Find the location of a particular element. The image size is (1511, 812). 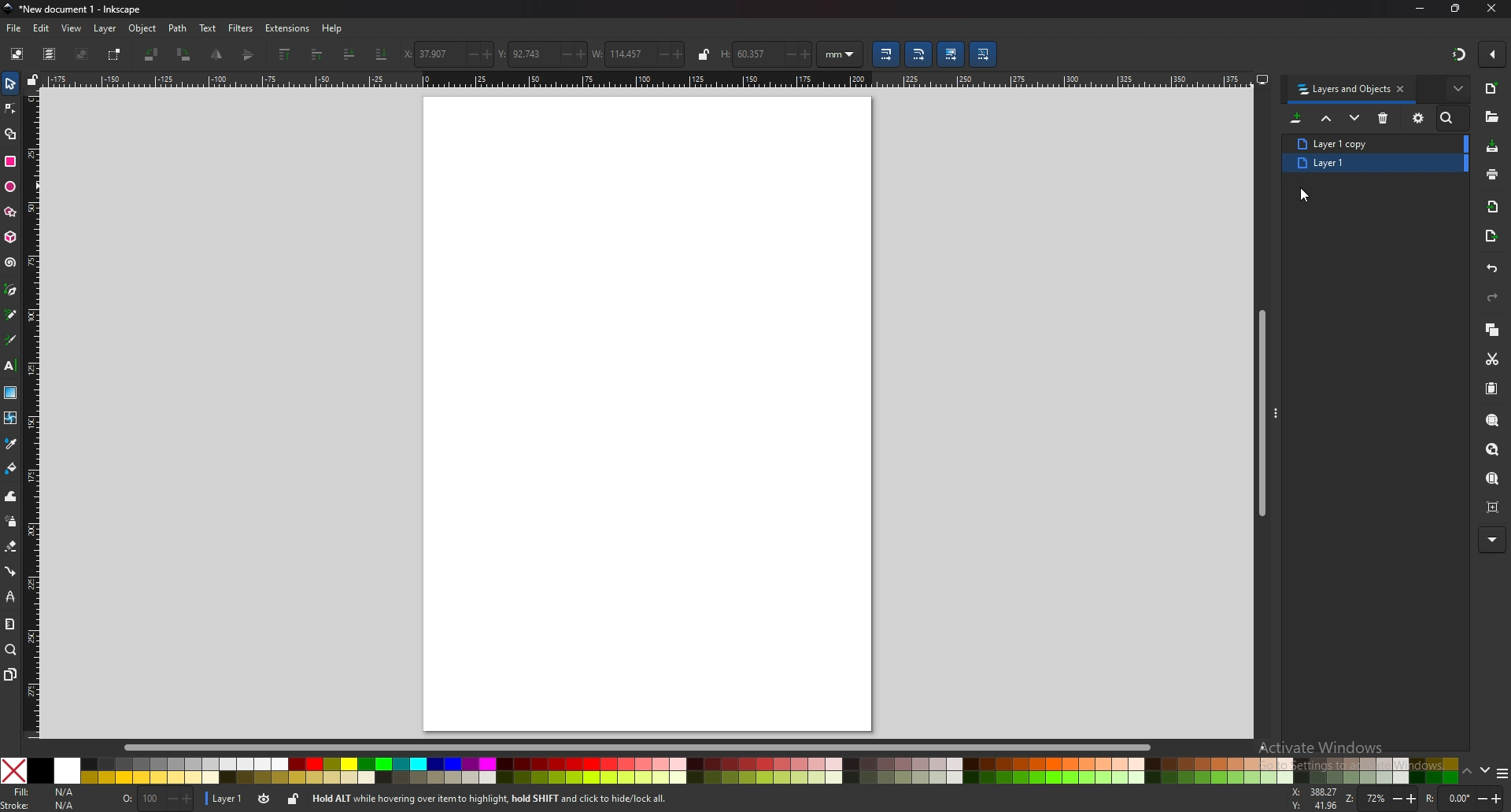

info is located at coordinates (534, 798).